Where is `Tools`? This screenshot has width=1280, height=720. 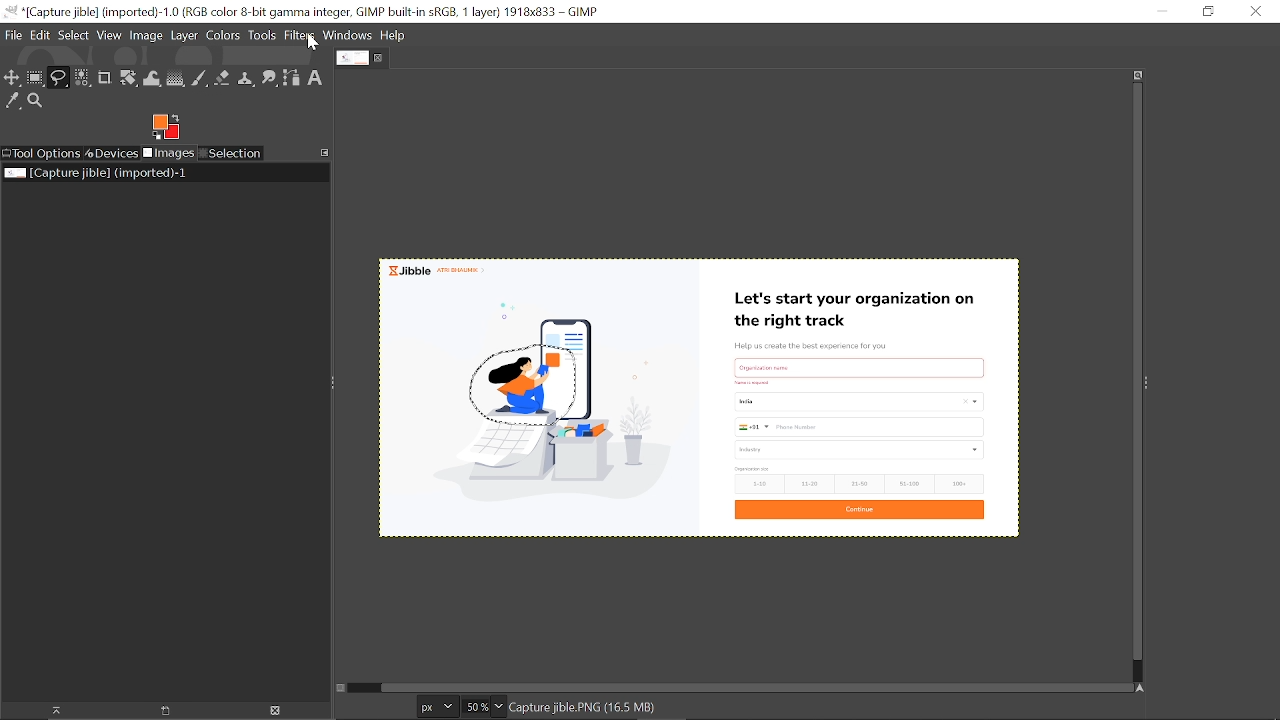 Tools is located at coordinates (262, 36).